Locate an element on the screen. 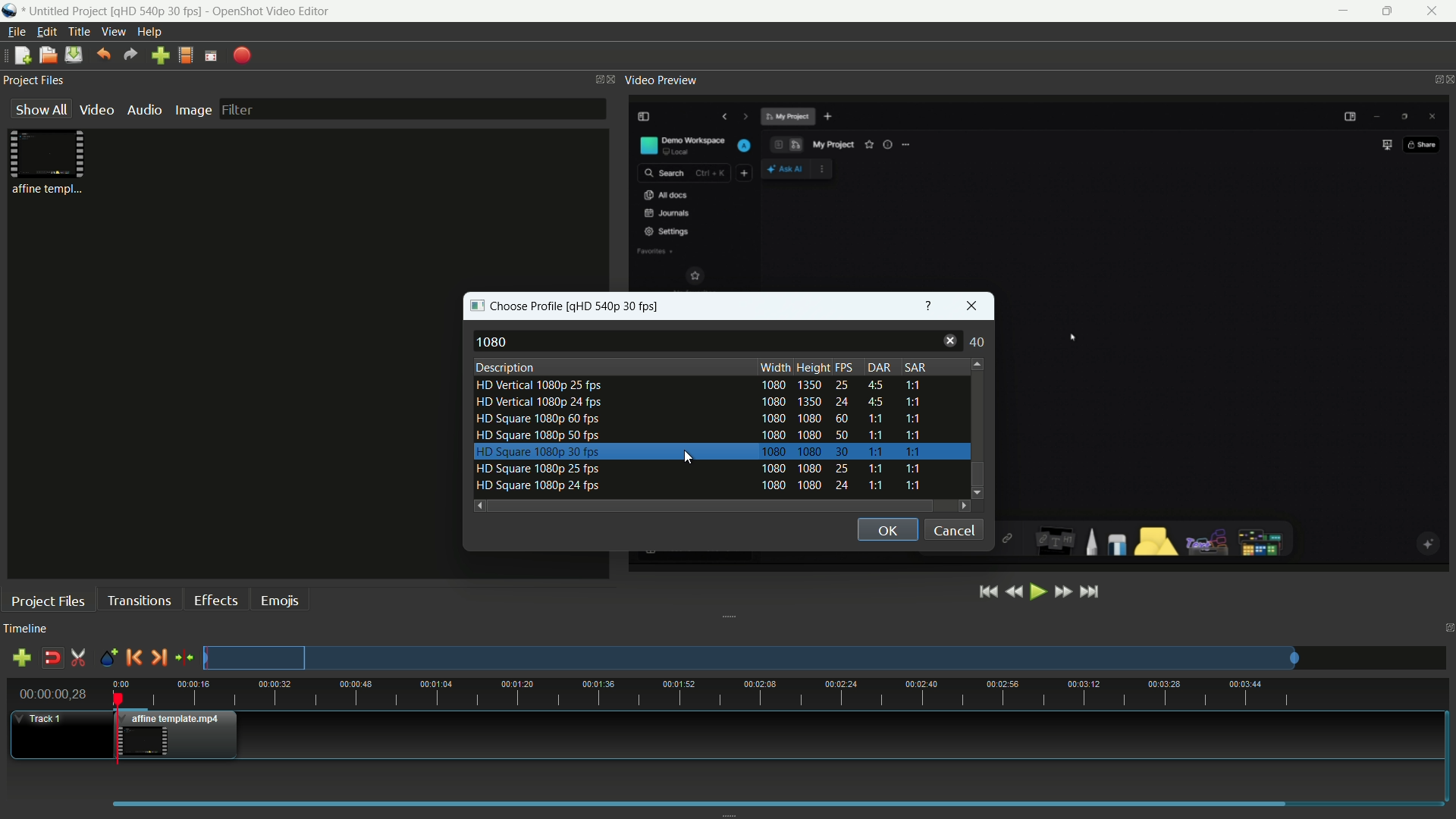 This screenshot has width=1456, height=819. edit menu is located at coordinates (46, 32).